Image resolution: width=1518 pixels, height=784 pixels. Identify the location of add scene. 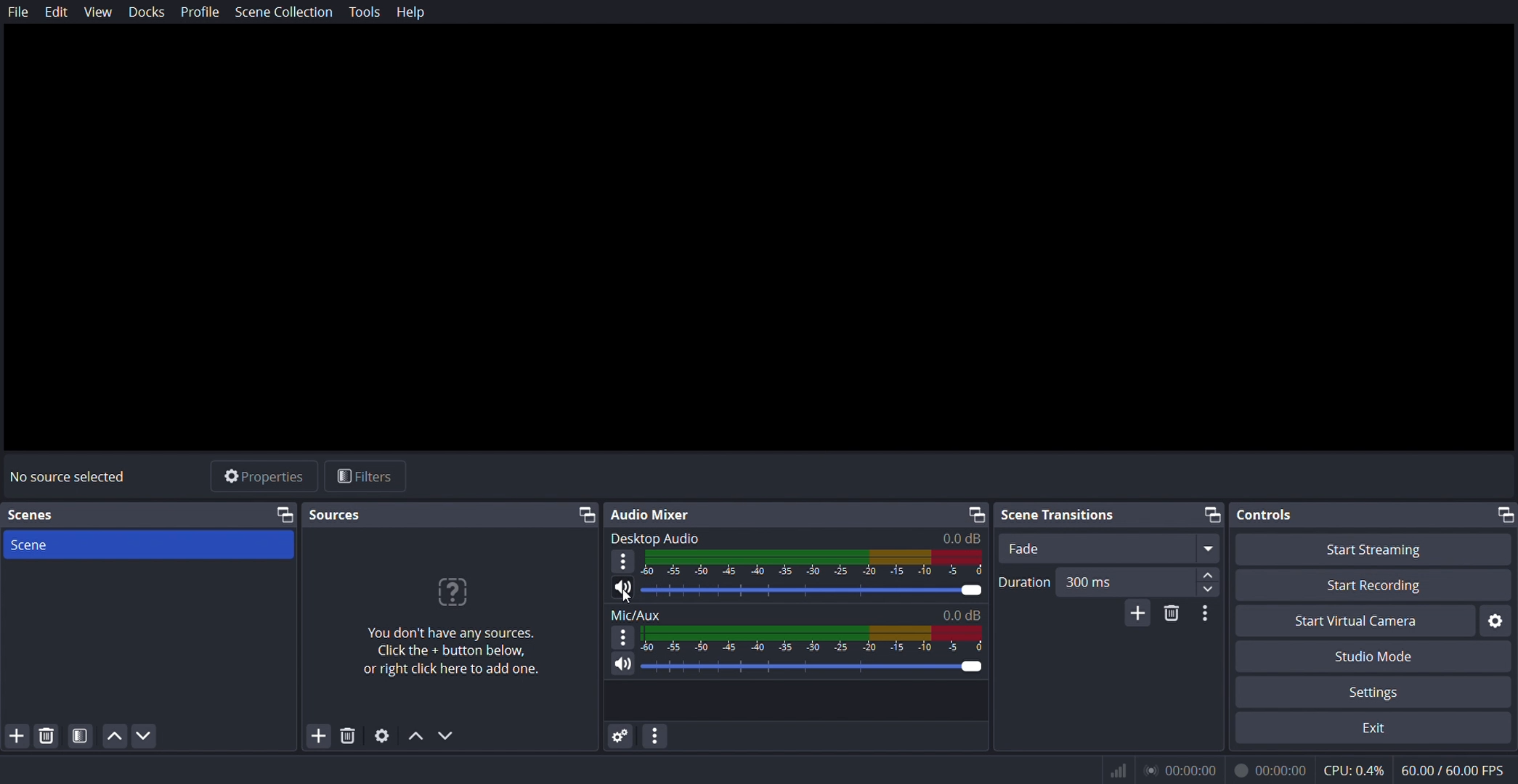
(18, 735).